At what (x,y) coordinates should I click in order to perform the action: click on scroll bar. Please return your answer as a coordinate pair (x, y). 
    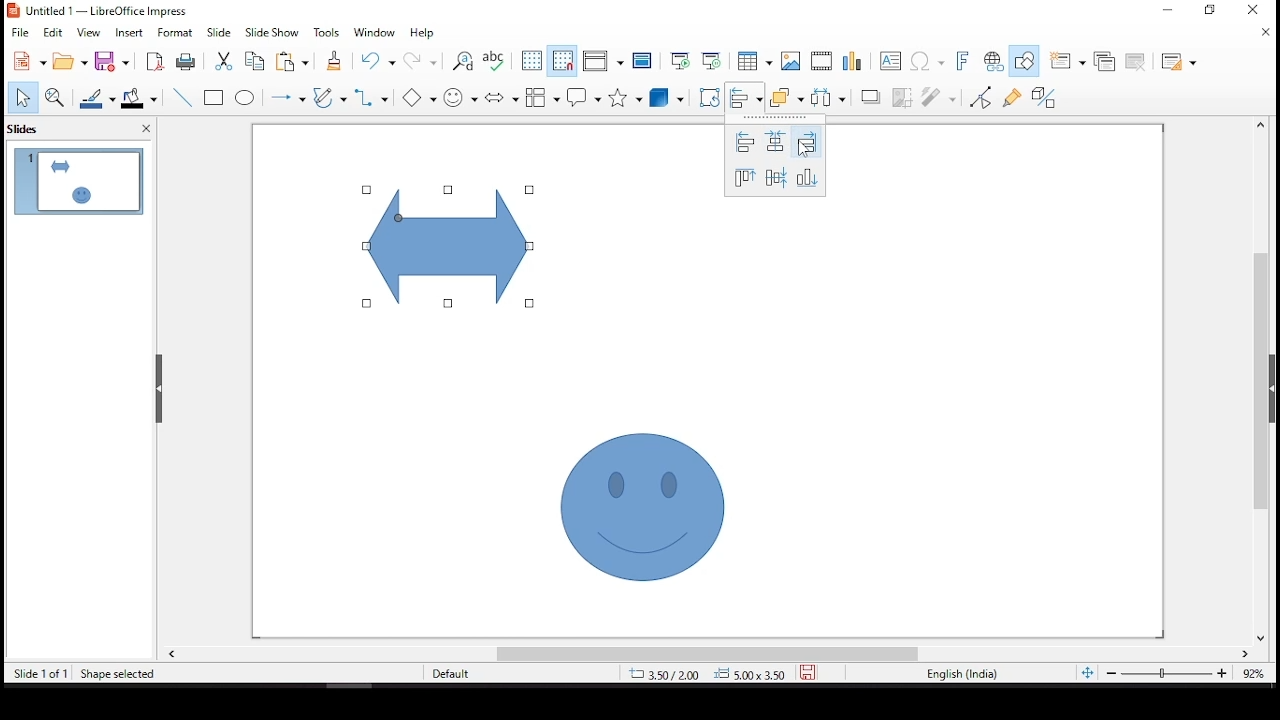
    Looking at the image, I should click on (1267, 381).